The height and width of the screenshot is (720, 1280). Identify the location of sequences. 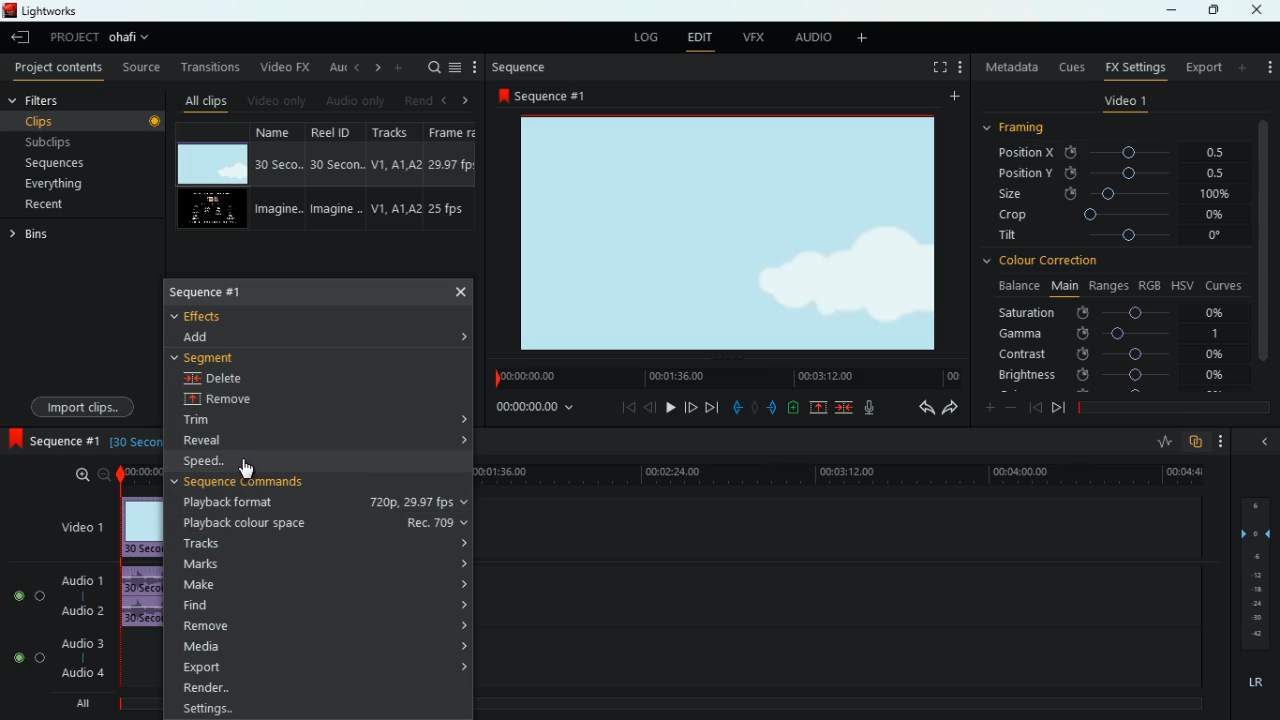
(66, 165).